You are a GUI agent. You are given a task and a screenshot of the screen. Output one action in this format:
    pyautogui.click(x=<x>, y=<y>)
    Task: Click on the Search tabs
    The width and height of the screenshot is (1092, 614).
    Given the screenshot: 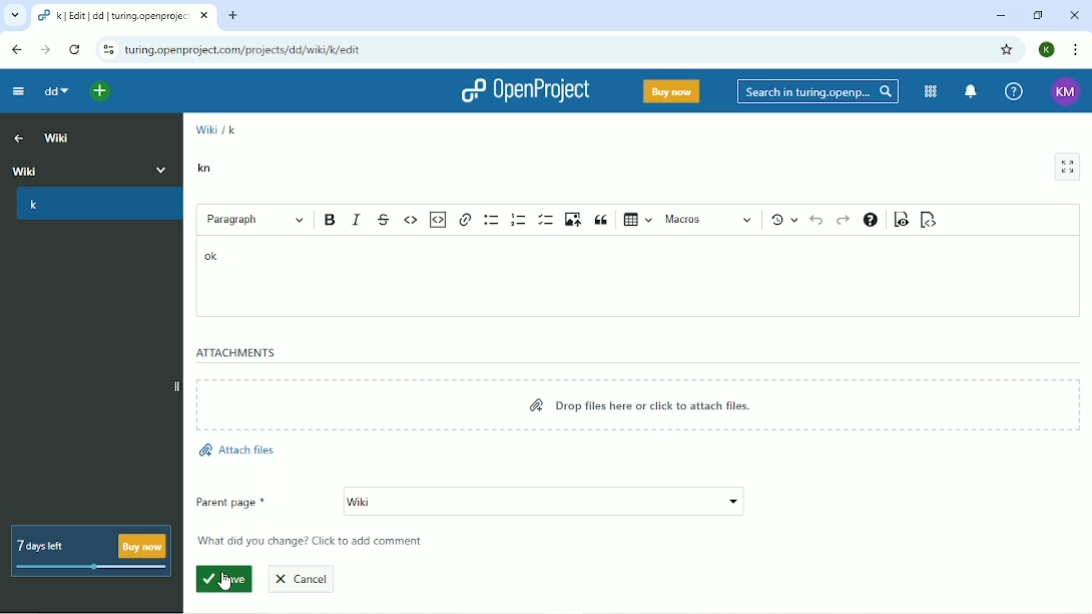 What is the action you would take?
    pyautogui.click(x=17, y=16)
    